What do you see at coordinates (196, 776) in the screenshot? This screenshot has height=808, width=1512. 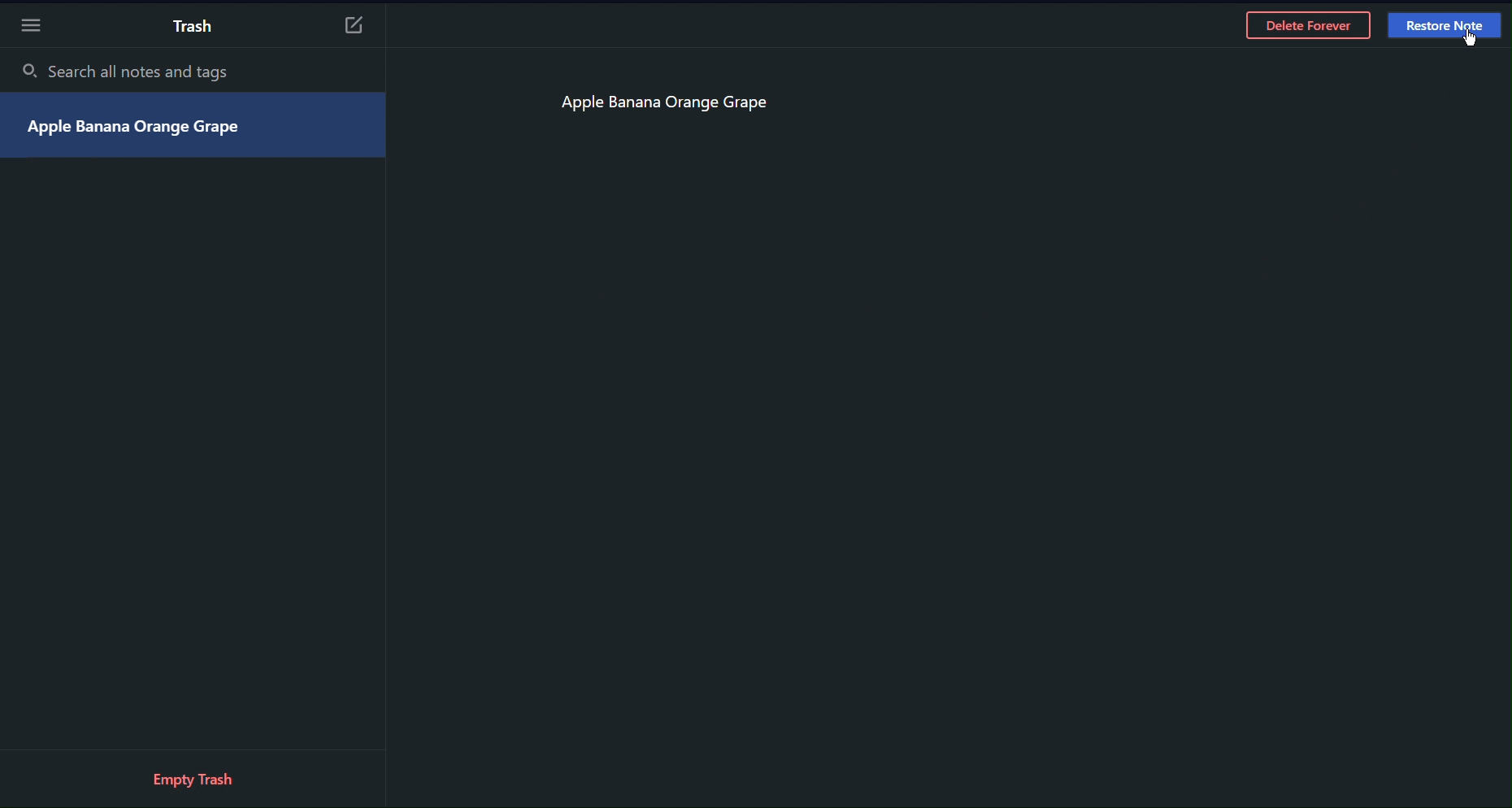 I see `Empty Tras` at bounding box center [196, 776].